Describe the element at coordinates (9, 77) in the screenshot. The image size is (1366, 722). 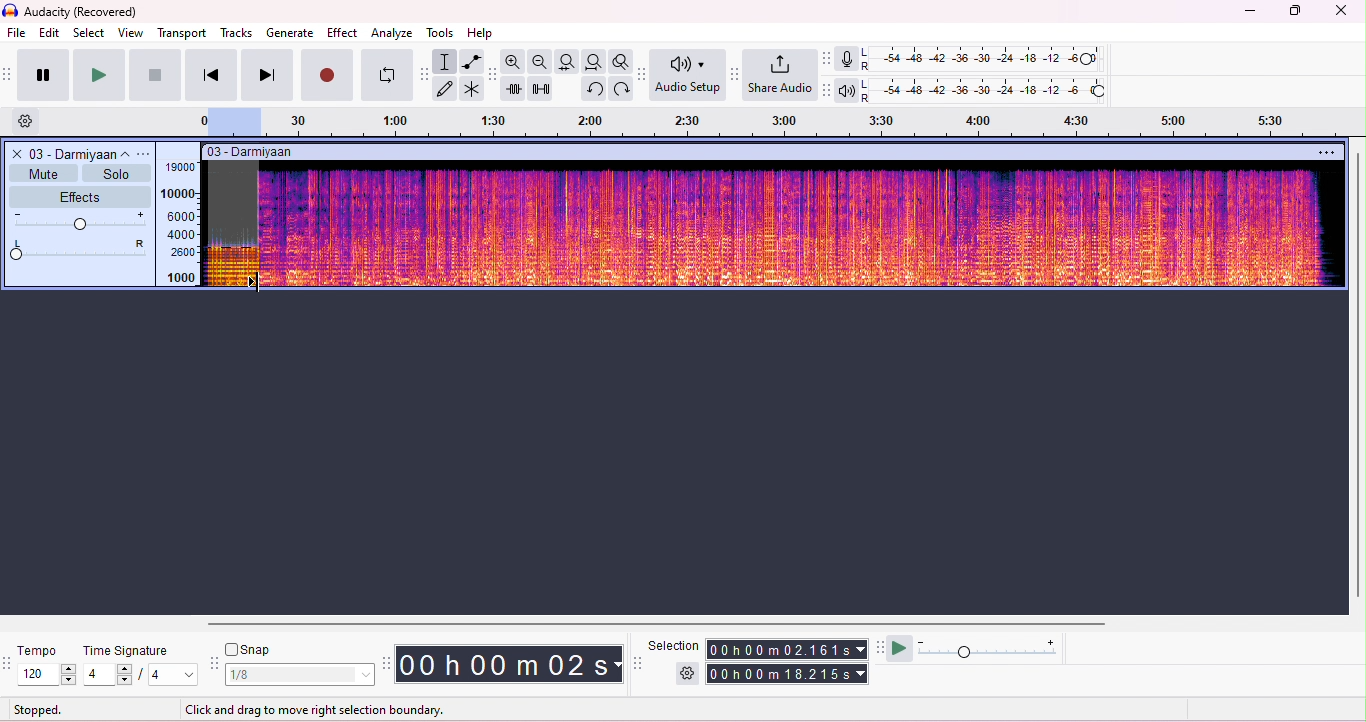
I see `transport toolbar` at that location.